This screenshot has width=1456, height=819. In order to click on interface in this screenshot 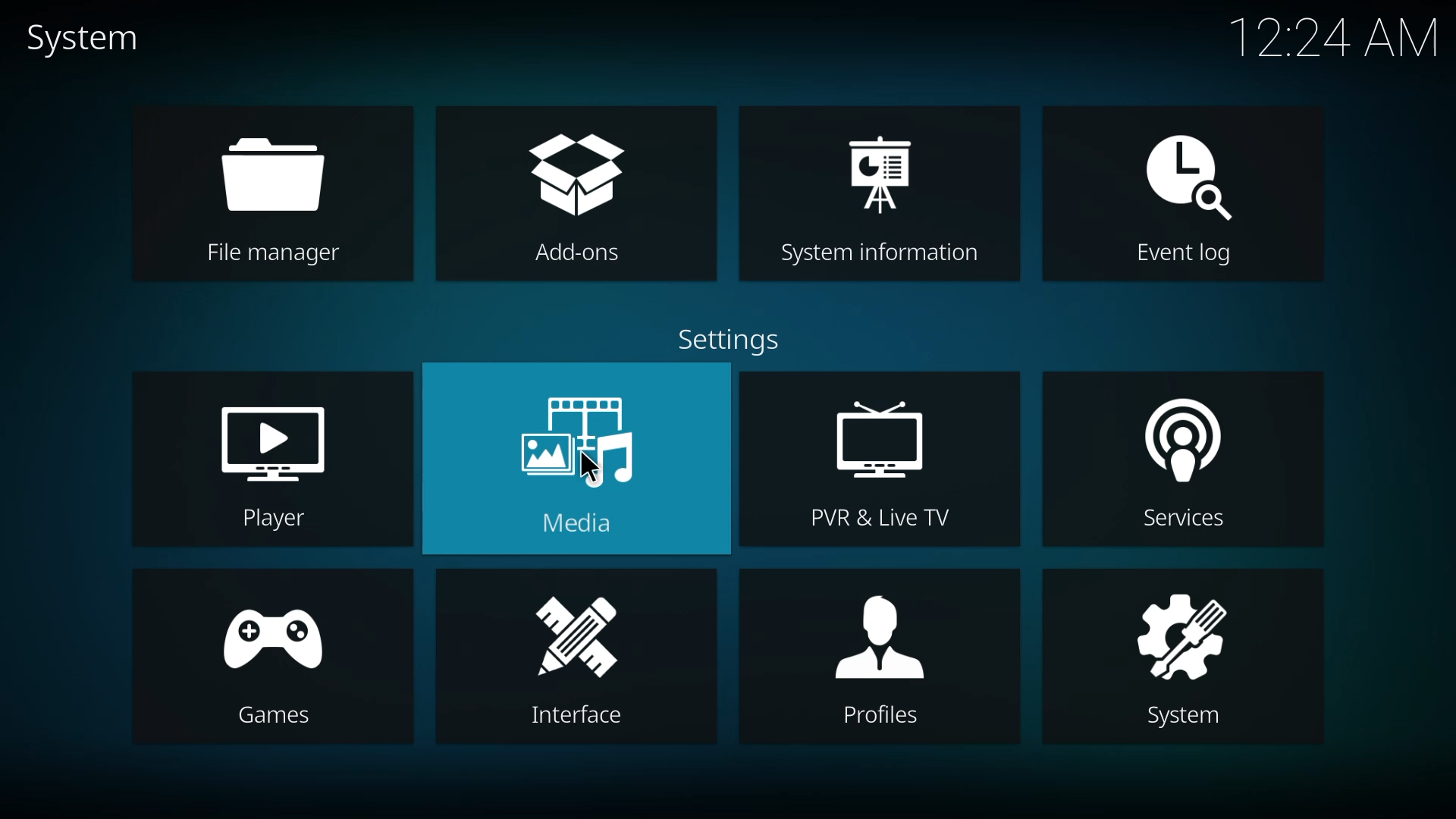, I will do `click(578, 659)`.